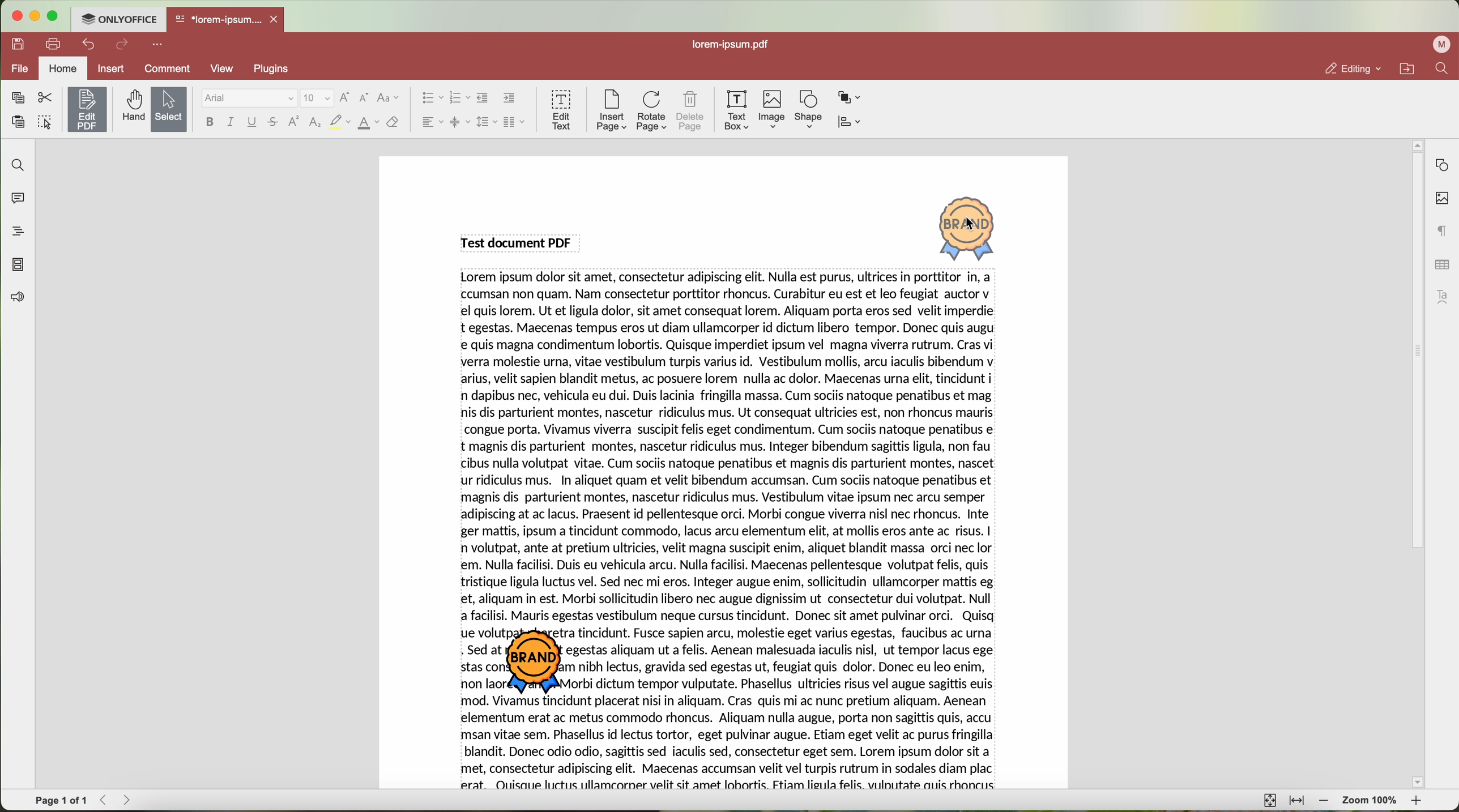  What do you see at coordinates (1444, 44) in the screenshot?
I see `profile` at bounding box center [1444, 44].